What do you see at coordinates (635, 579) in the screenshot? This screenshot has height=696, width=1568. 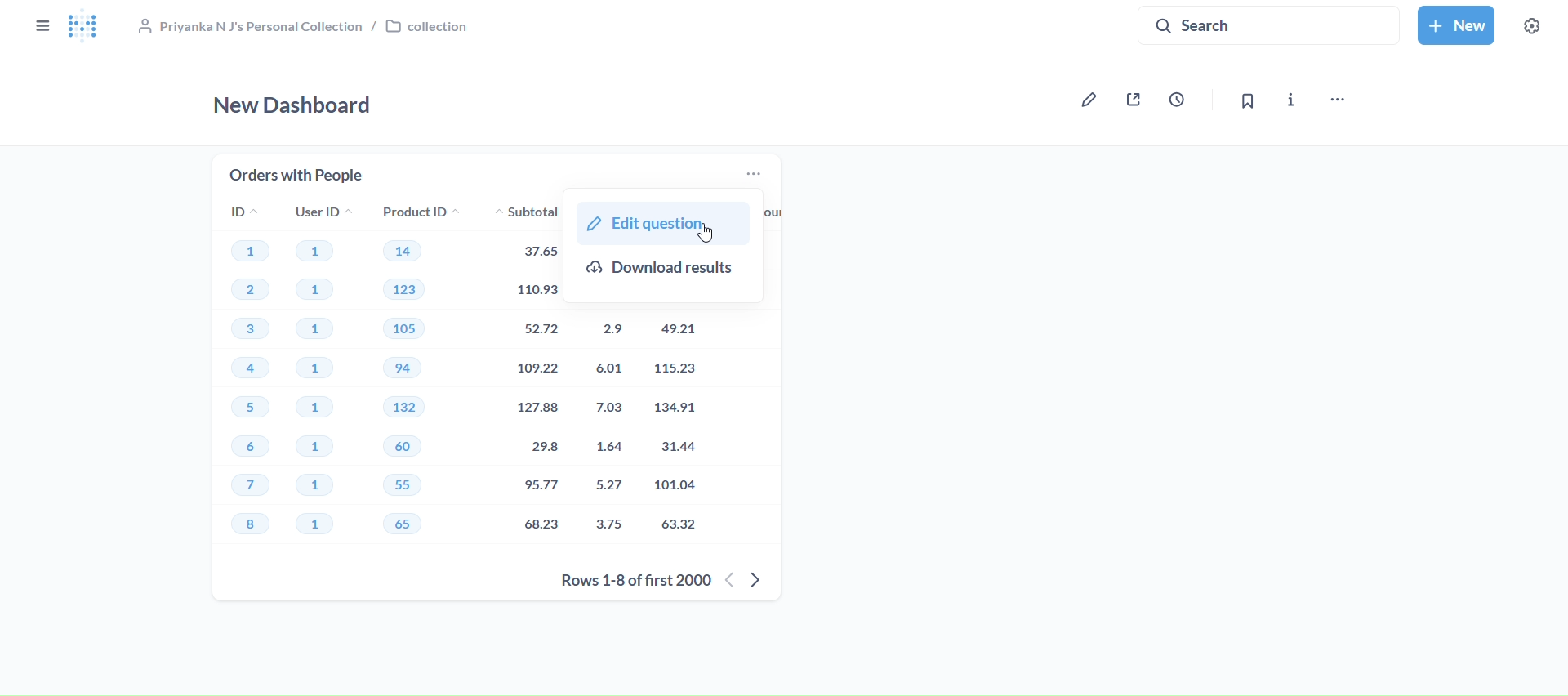 I see `rows 1-8 of first 2000` at bounding box center [635, 579].